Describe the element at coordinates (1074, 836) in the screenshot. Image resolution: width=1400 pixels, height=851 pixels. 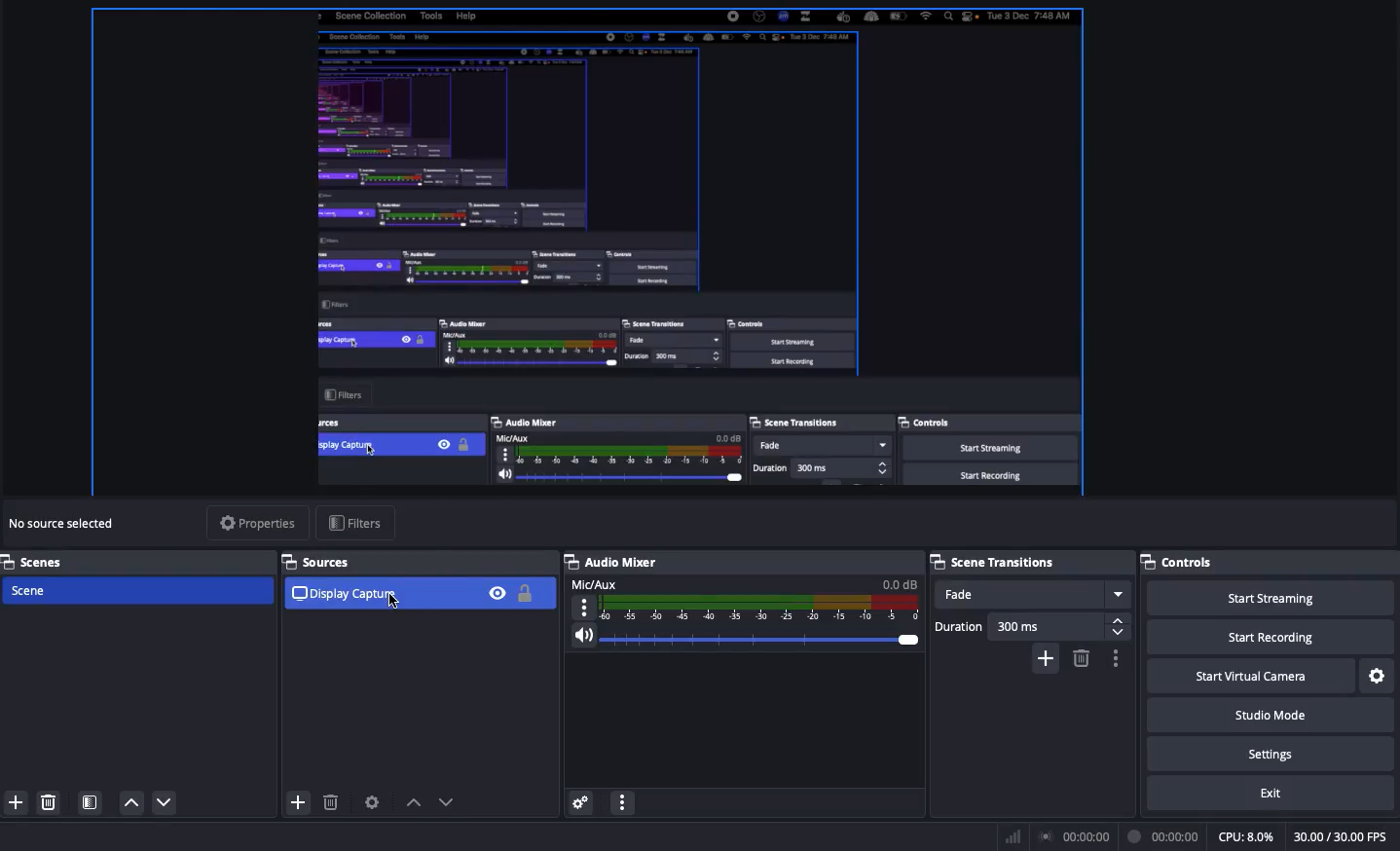
I see `Broadcast` at that location.